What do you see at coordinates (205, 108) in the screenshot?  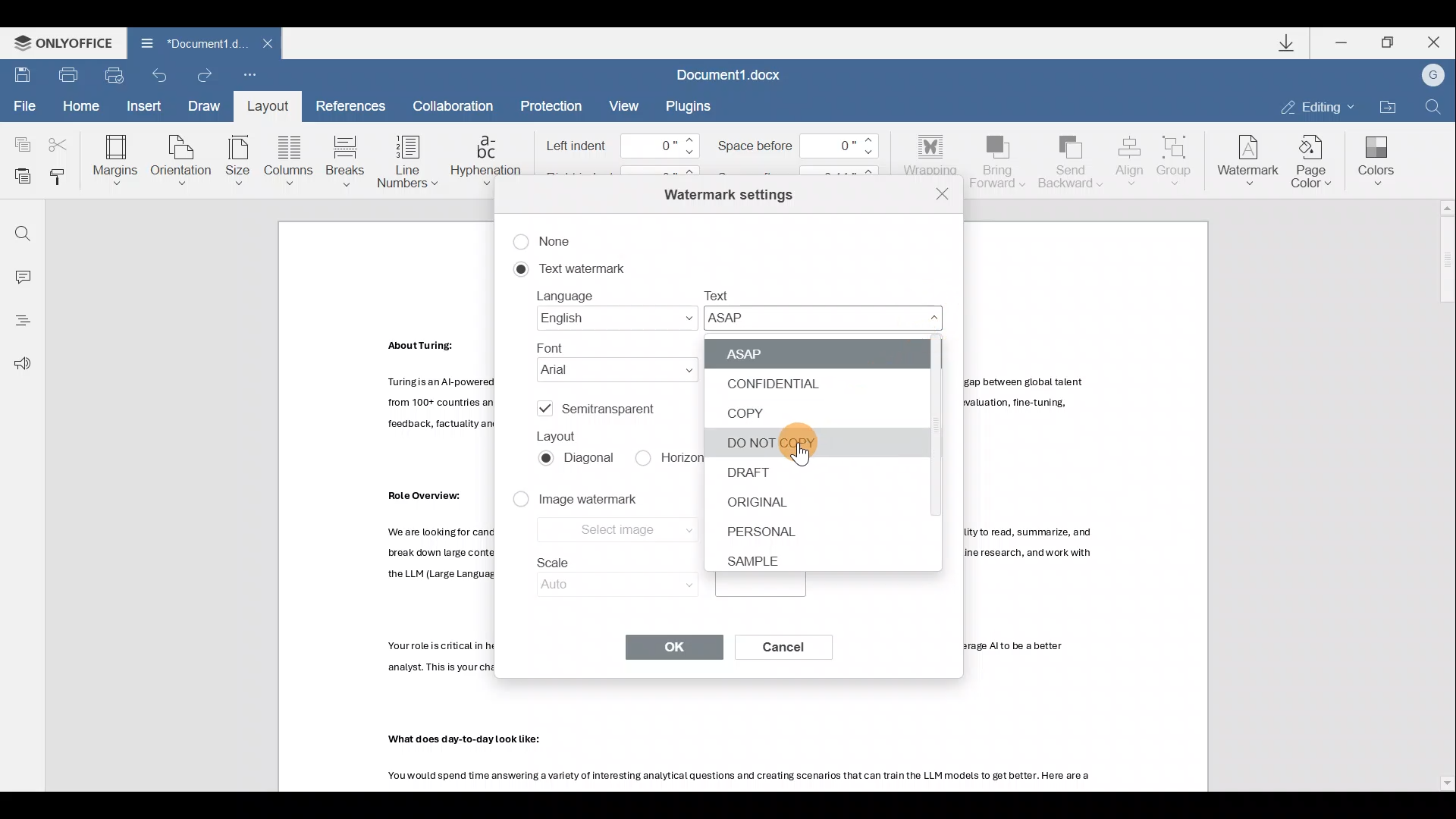 I see `Draw` at bounding box center [205, 108].